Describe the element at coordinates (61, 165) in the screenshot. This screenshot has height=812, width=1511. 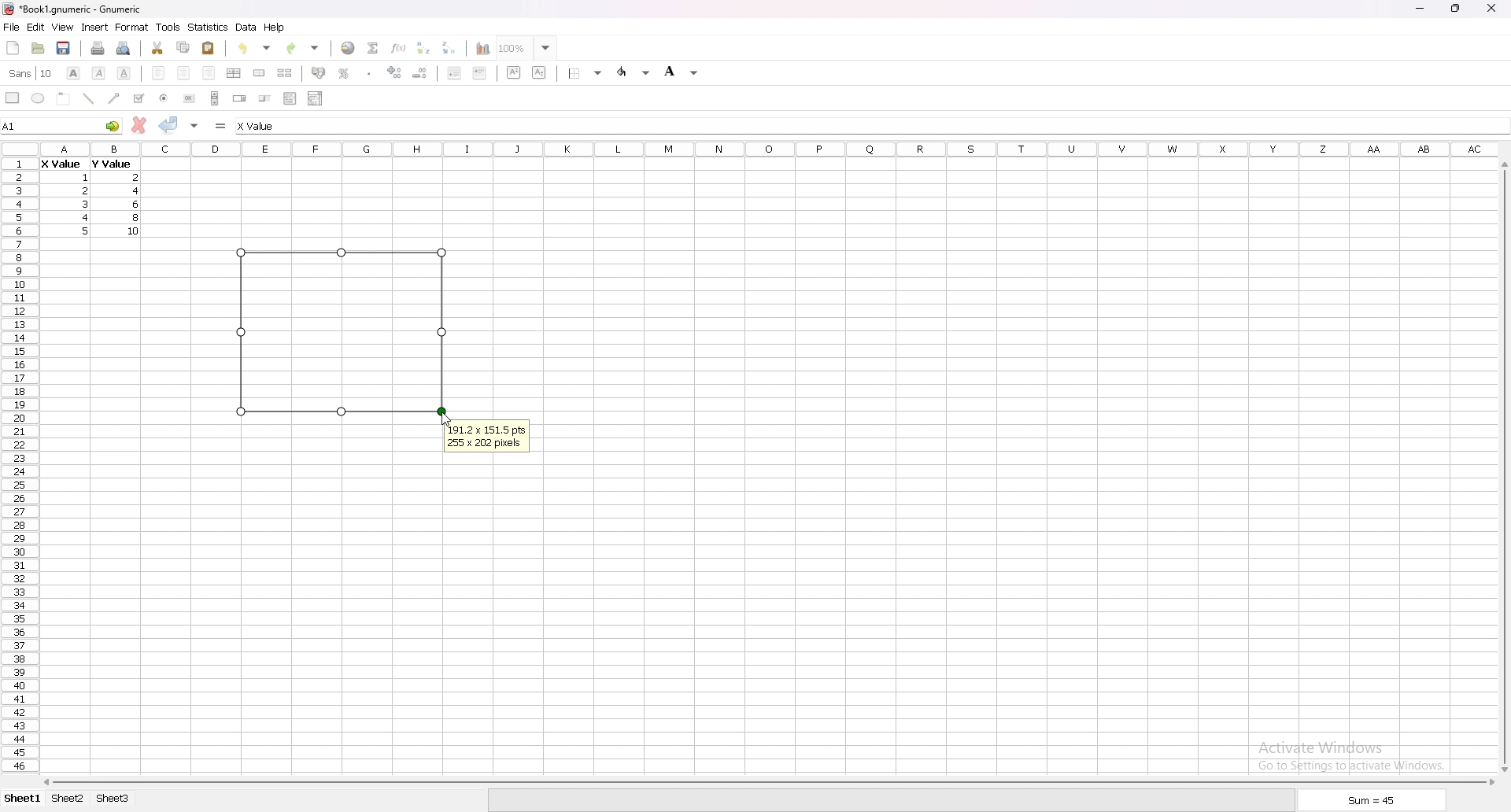
I see `value` at that location.